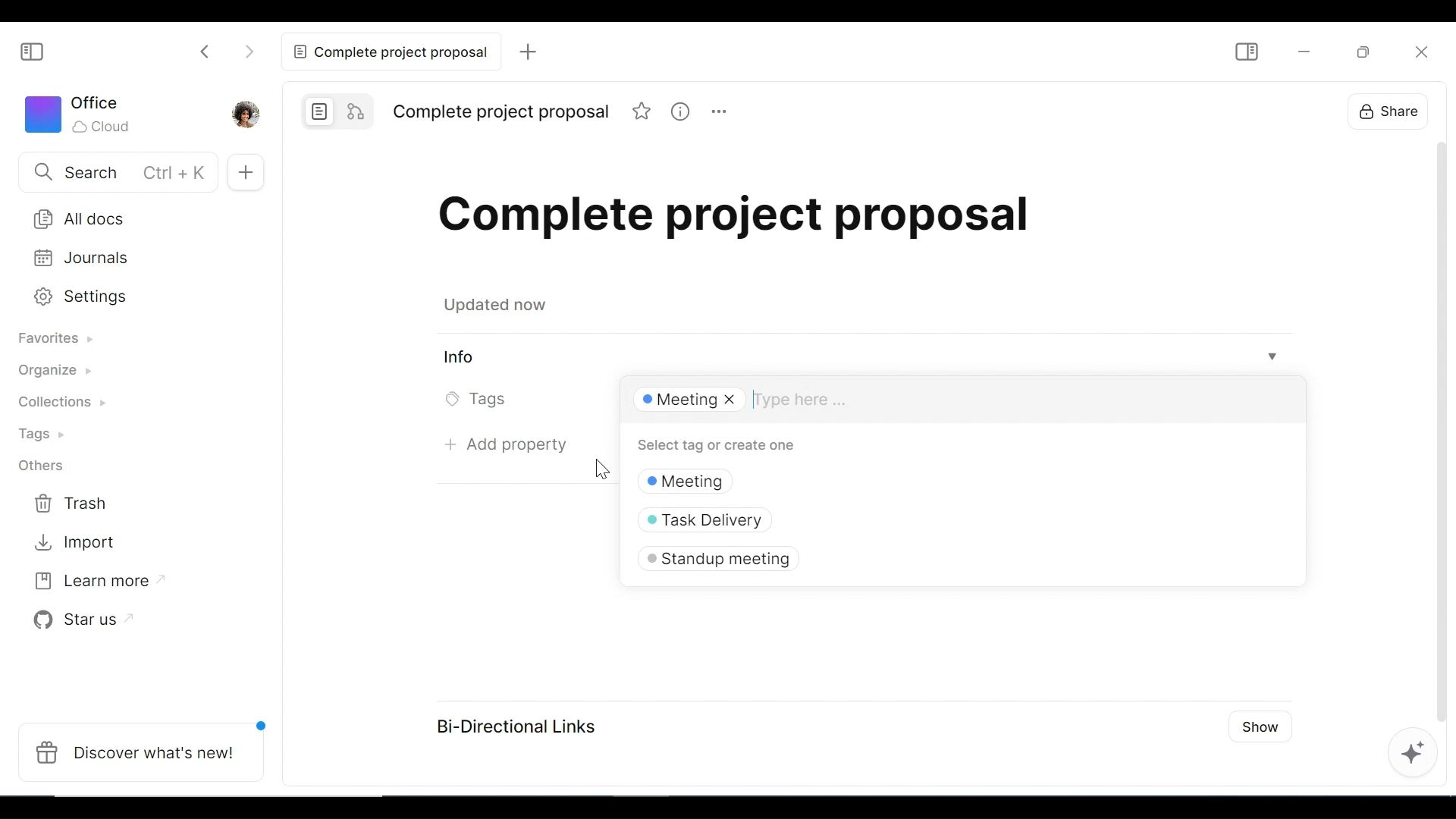  I want to click on Edgeless mode, so click(358, 111).